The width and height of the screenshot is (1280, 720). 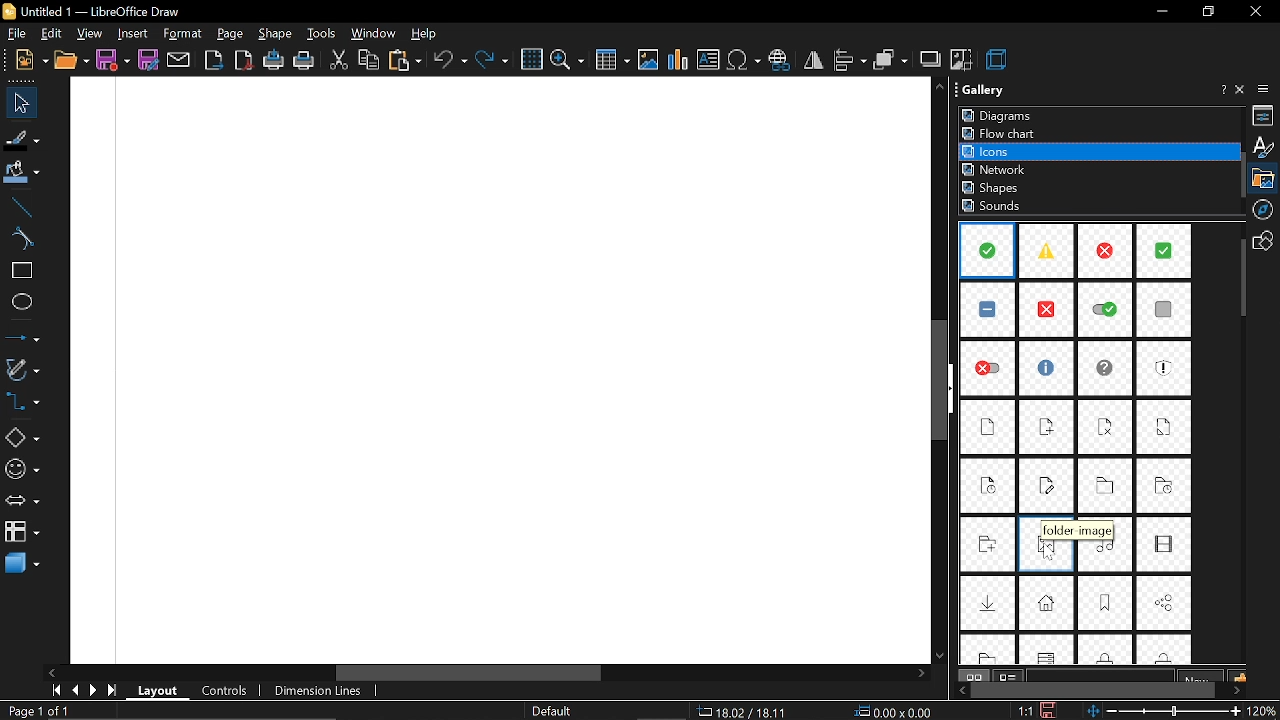 I want to click on 3d effect, so click(x=998, y=60).